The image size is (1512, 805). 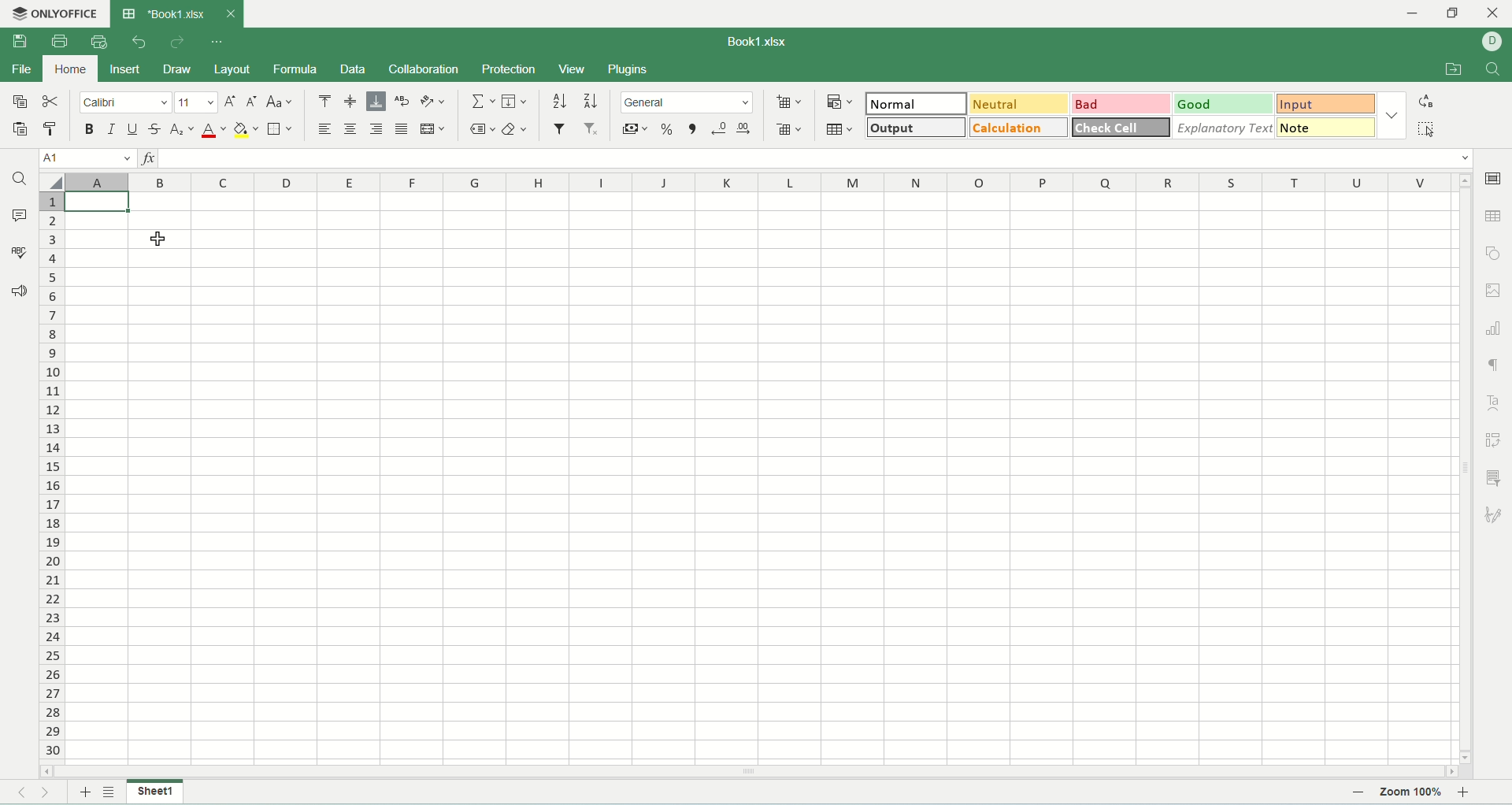 What do you see at coordinates (1495, 325) in the screenshot?
I see `chart setting` at bounding box center [1495, 325].